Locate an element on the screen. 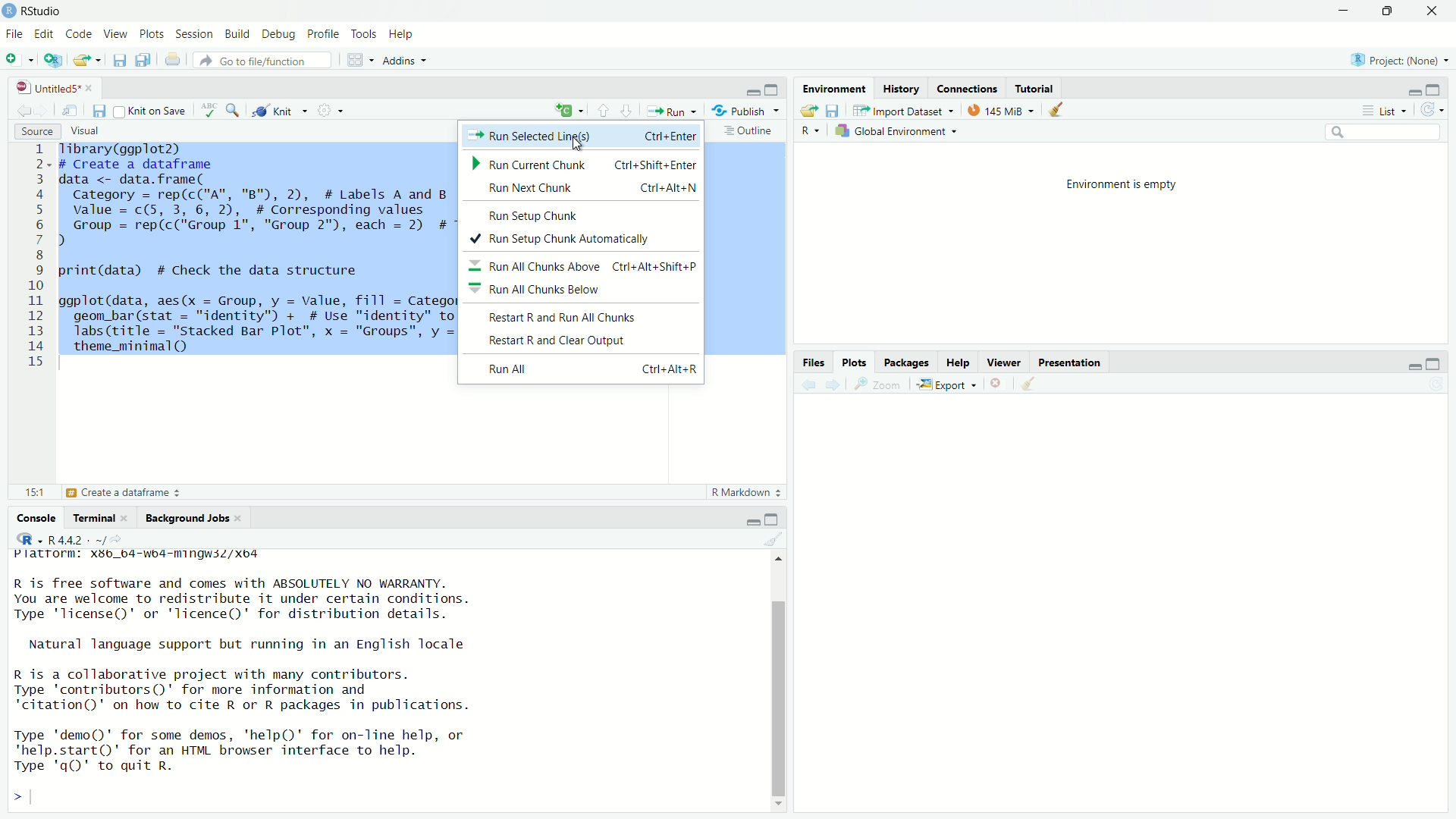 Image resolution: width=1456 pixels, height=819 pixels. Export is located at coordinates (950, 383).